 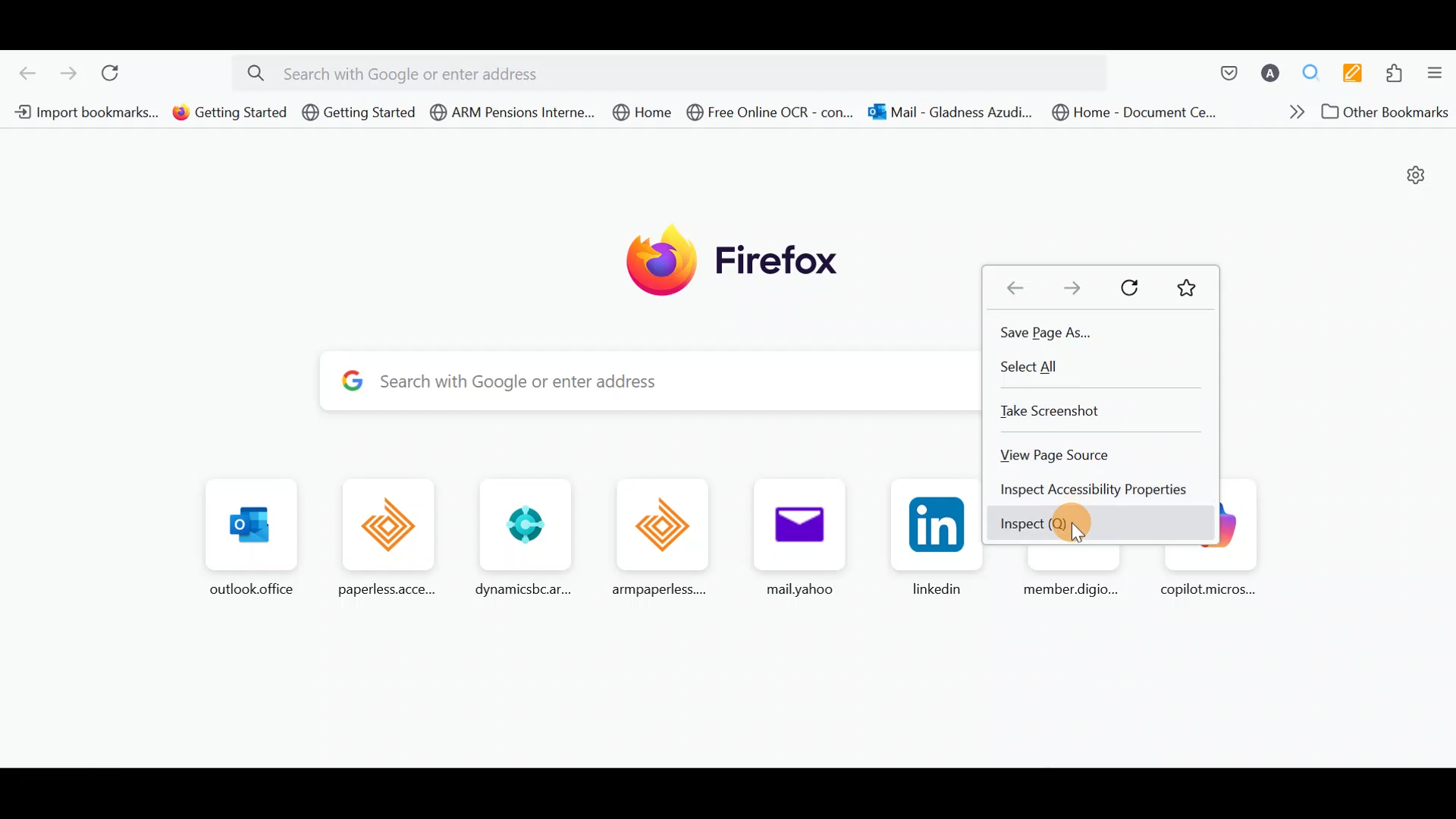 What do you see at coordinates (359, 114) in the screenshot?
I see `Bookmark 3` at bounding box center [359, 114].